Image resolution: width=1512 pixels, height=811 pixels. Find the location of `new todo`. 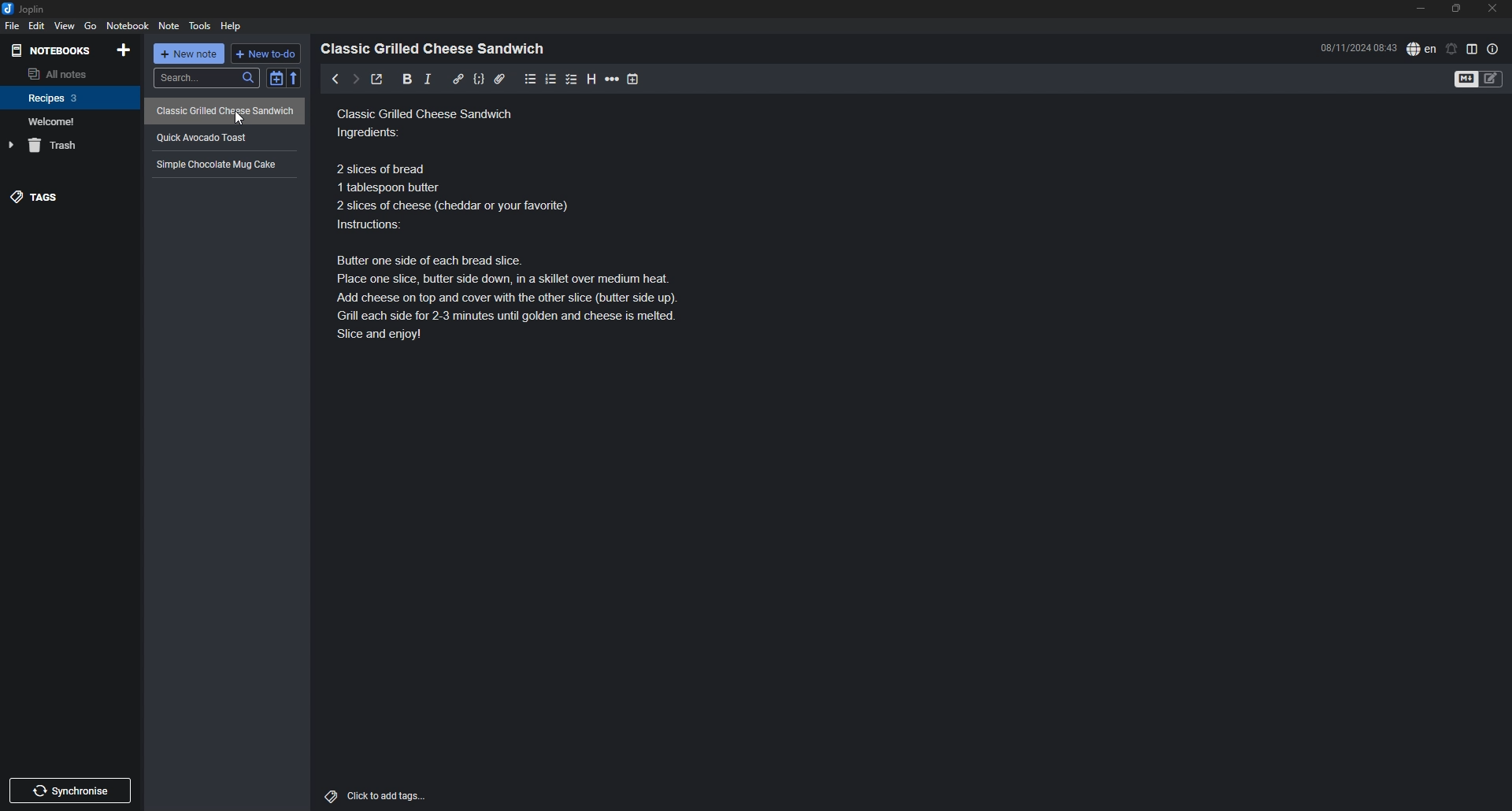

new todo is located at coordinates (267, 54).